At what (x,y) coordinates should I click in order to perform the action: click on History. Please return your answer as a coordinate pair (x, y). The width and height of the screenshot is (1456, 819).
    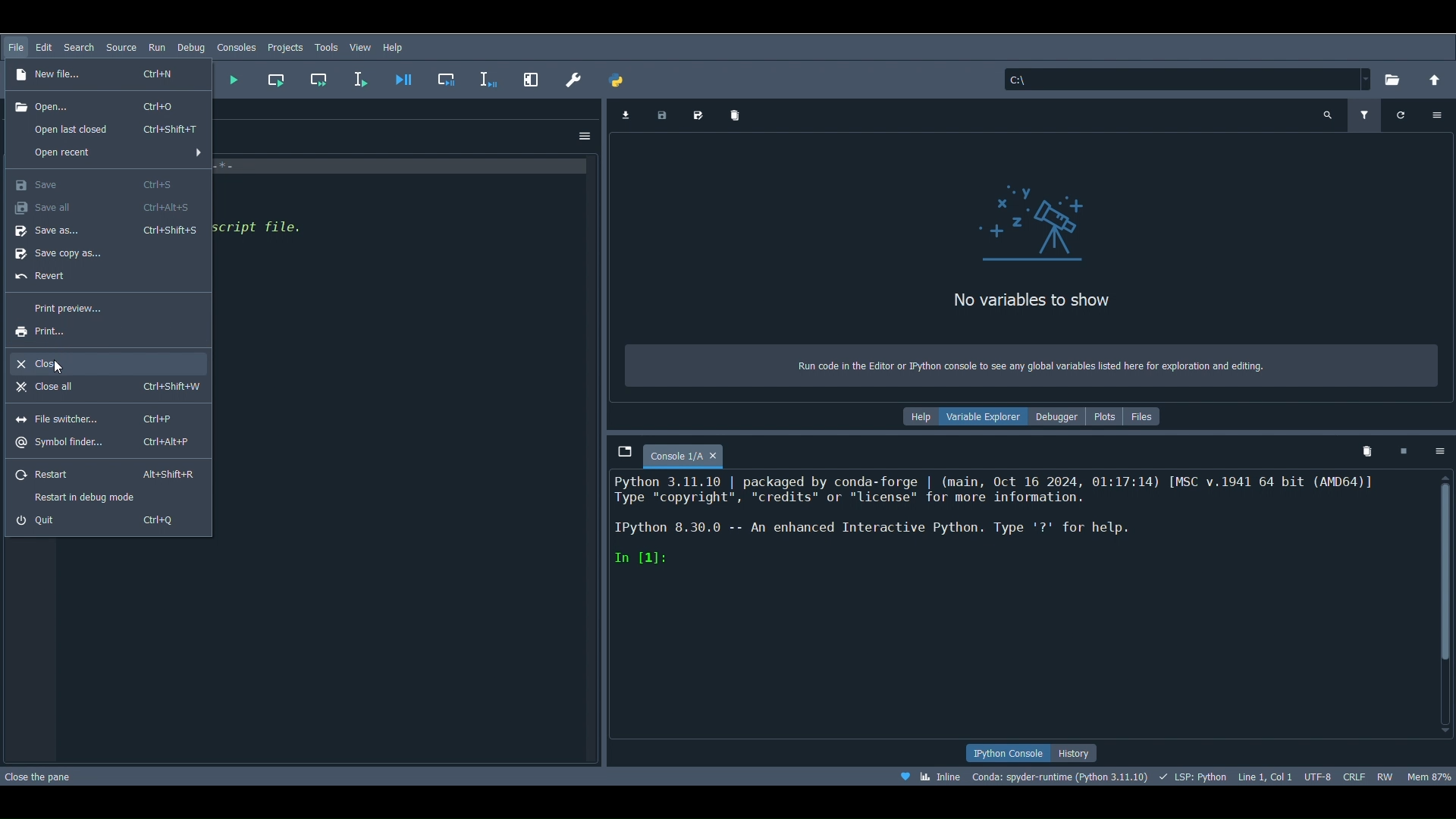
    Looking at the image, I should click on (1075, 753).